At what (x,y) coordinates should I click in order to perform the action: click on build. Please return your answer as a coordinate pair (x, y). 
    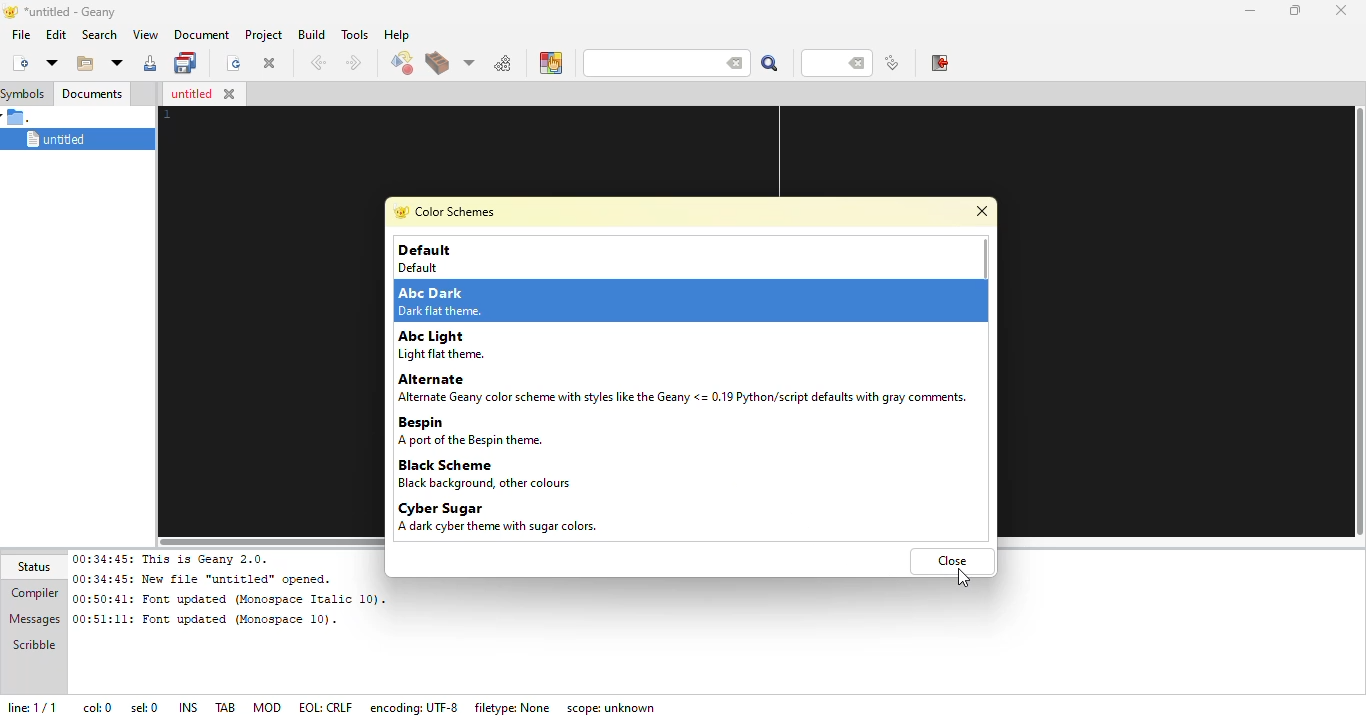
    Looking at the image, I should click on (311, 34).